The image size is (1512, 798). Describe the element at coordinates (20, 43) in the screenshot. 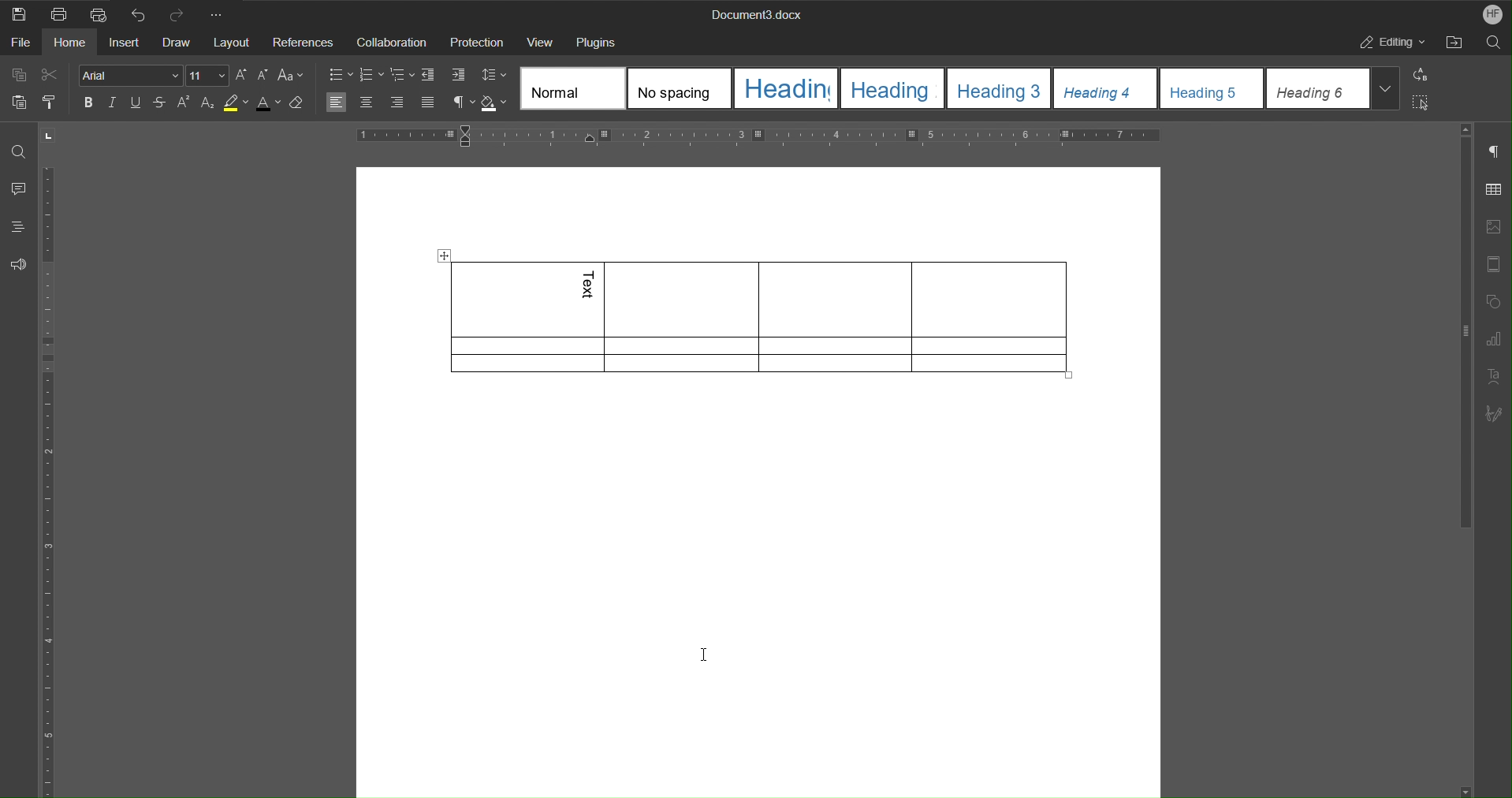

I see `File` at that location.